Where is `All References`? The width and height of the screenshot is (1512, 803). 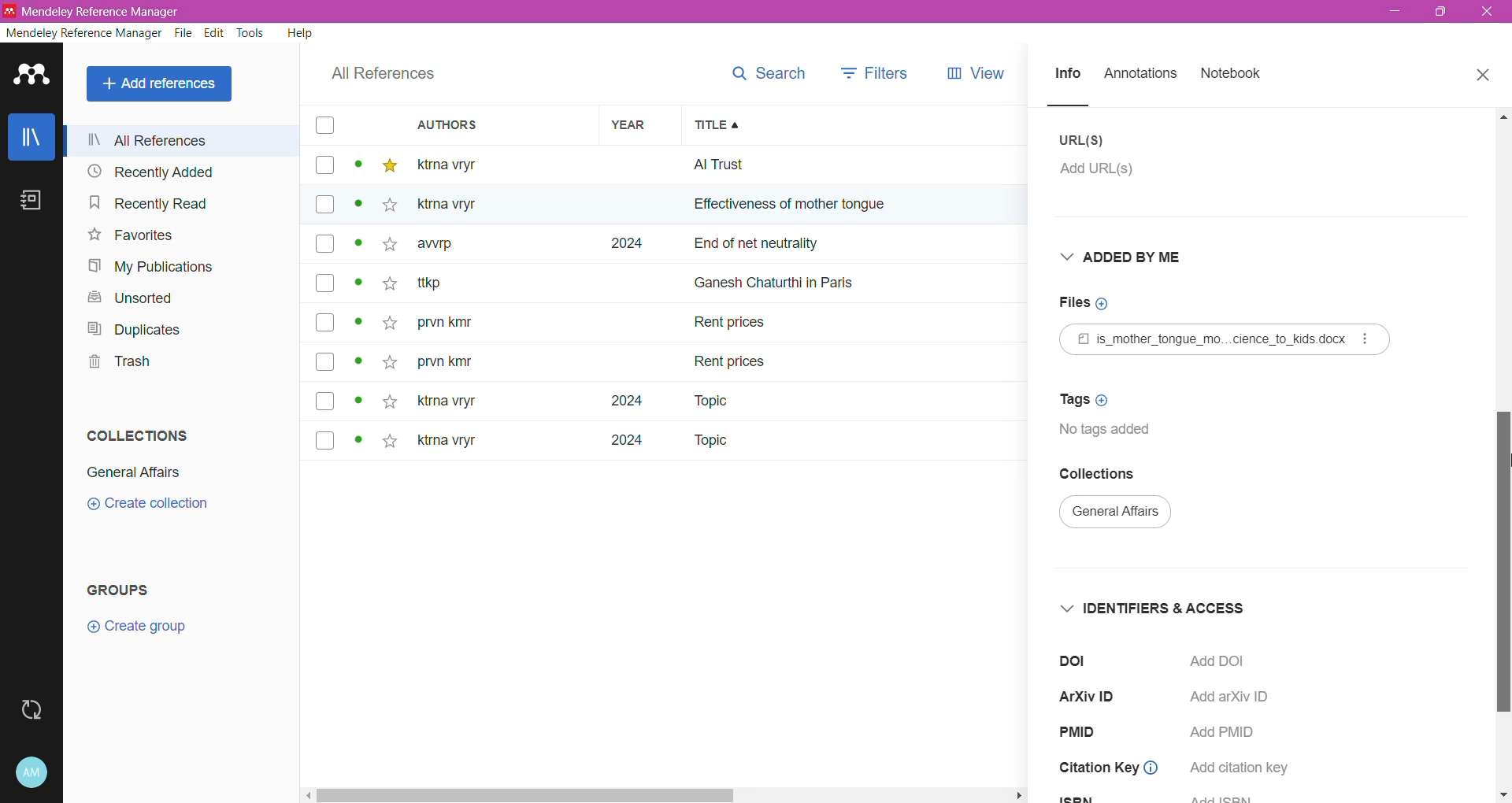
All References is located at coordinates (384, 74).